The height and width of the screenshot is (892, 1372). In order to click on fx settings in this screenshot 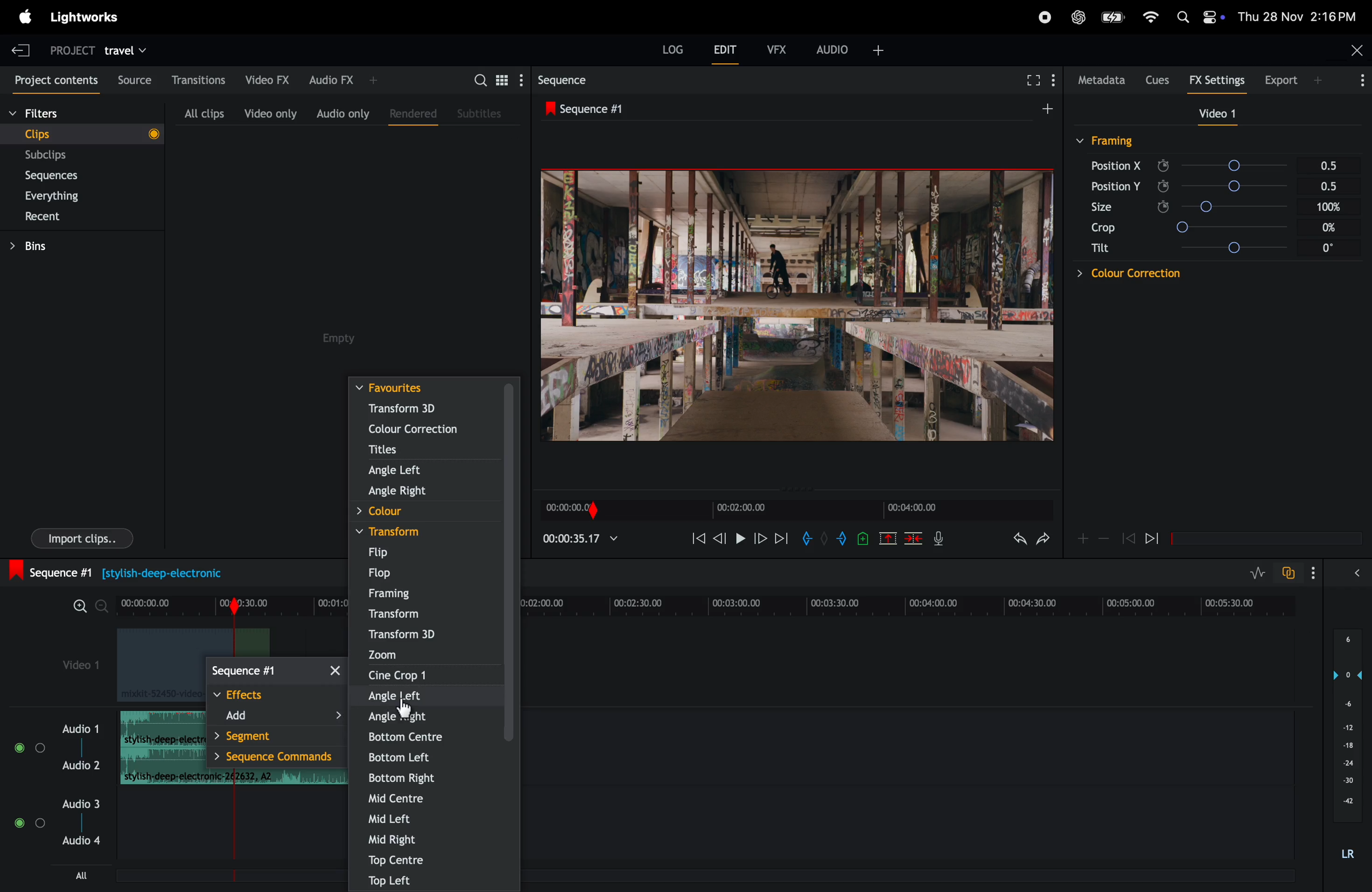, I will do `click(1220, 80)`.